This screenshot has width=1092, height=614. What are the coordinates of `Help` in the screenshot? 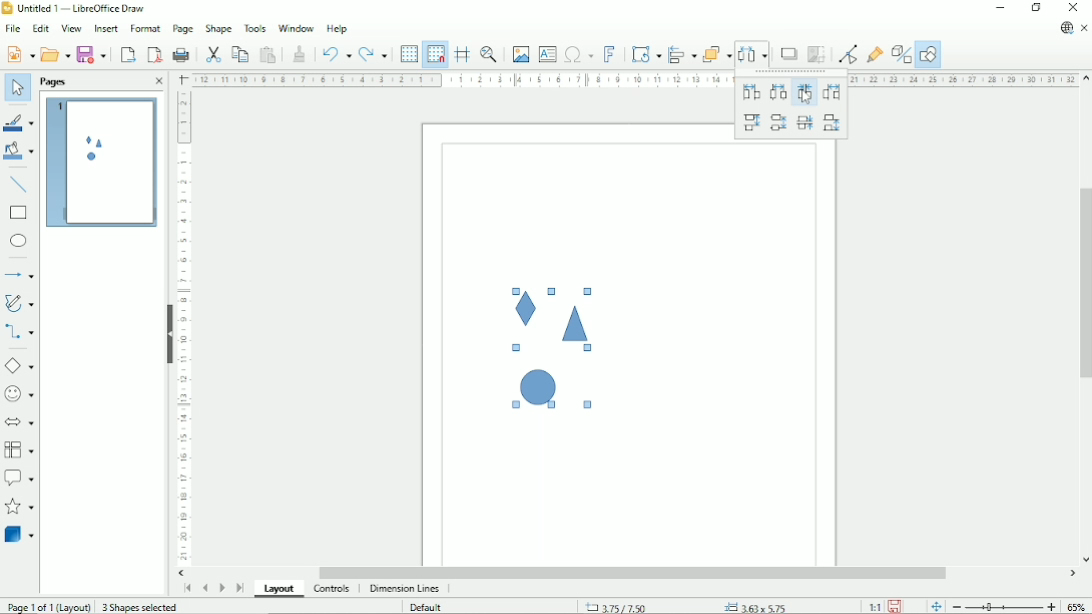 It's located at (337, 29).